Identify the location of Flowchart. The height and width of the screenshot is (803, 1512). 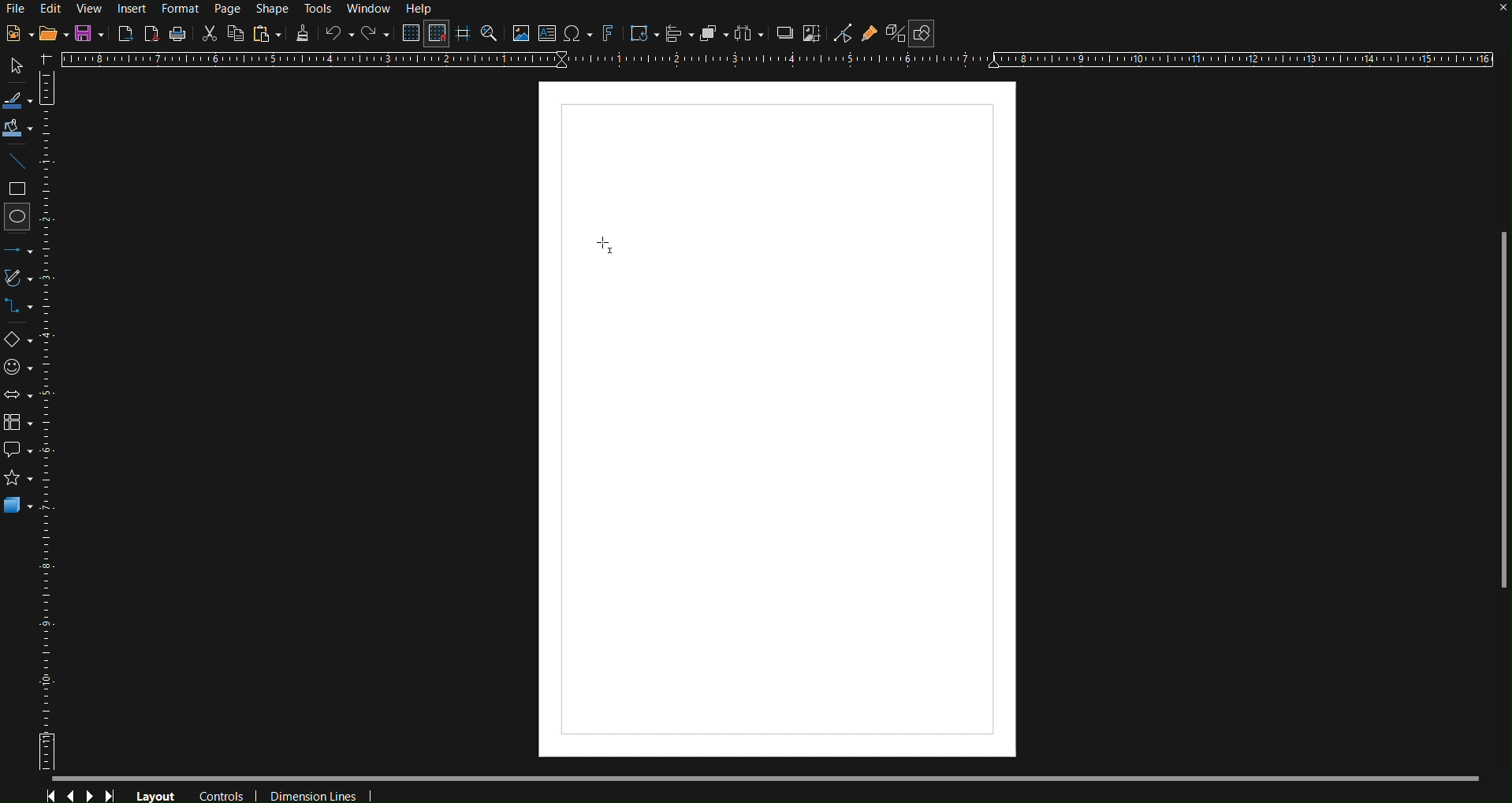
(22, 420).